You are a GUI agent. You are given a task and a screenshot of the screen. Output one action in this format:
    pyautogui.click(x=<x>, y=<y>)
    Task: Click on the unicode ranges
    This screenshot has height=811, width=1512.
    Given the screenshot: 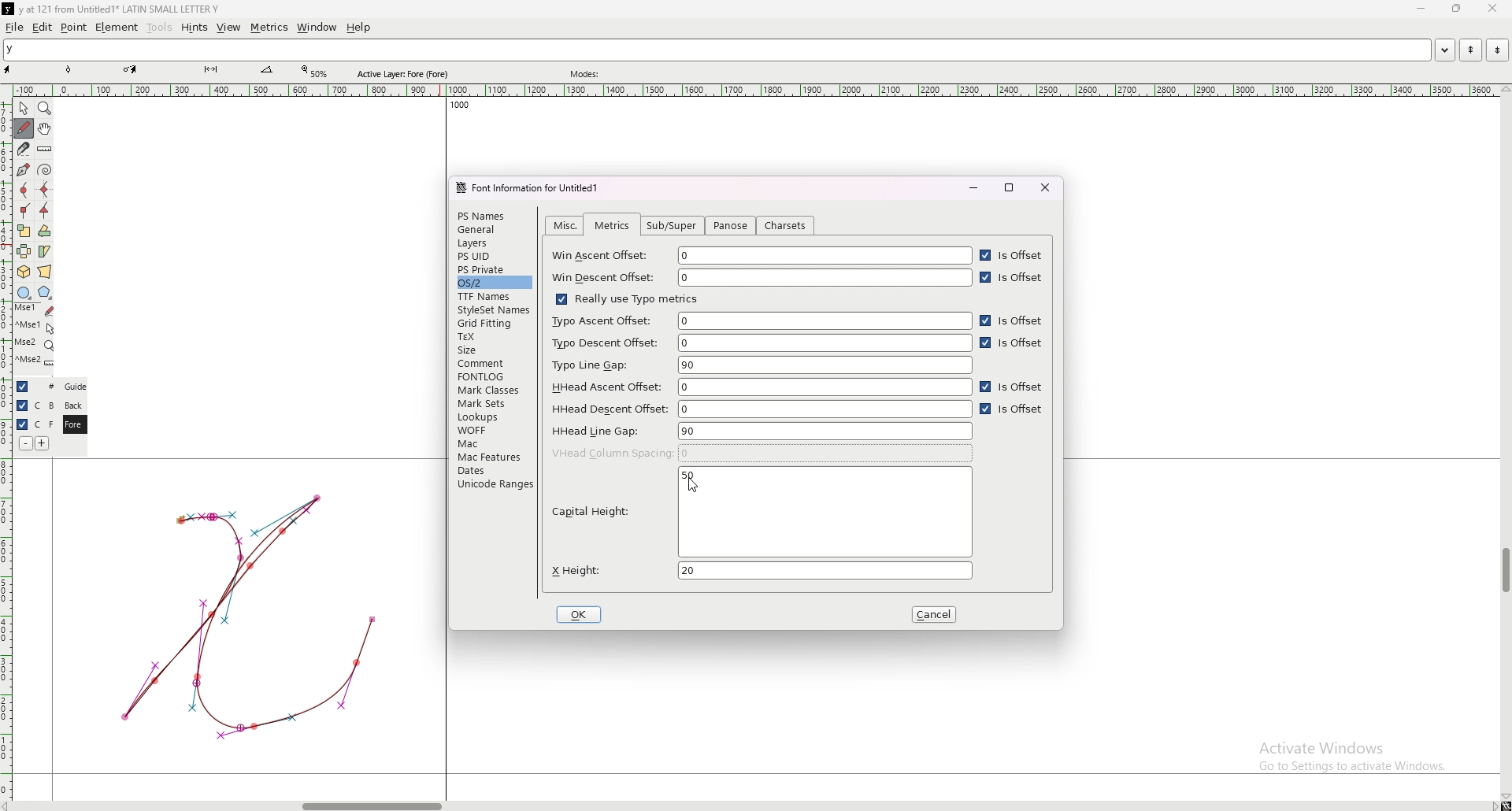 What is the action you would take?
    pyautogui.click(x=494, y=483)
    